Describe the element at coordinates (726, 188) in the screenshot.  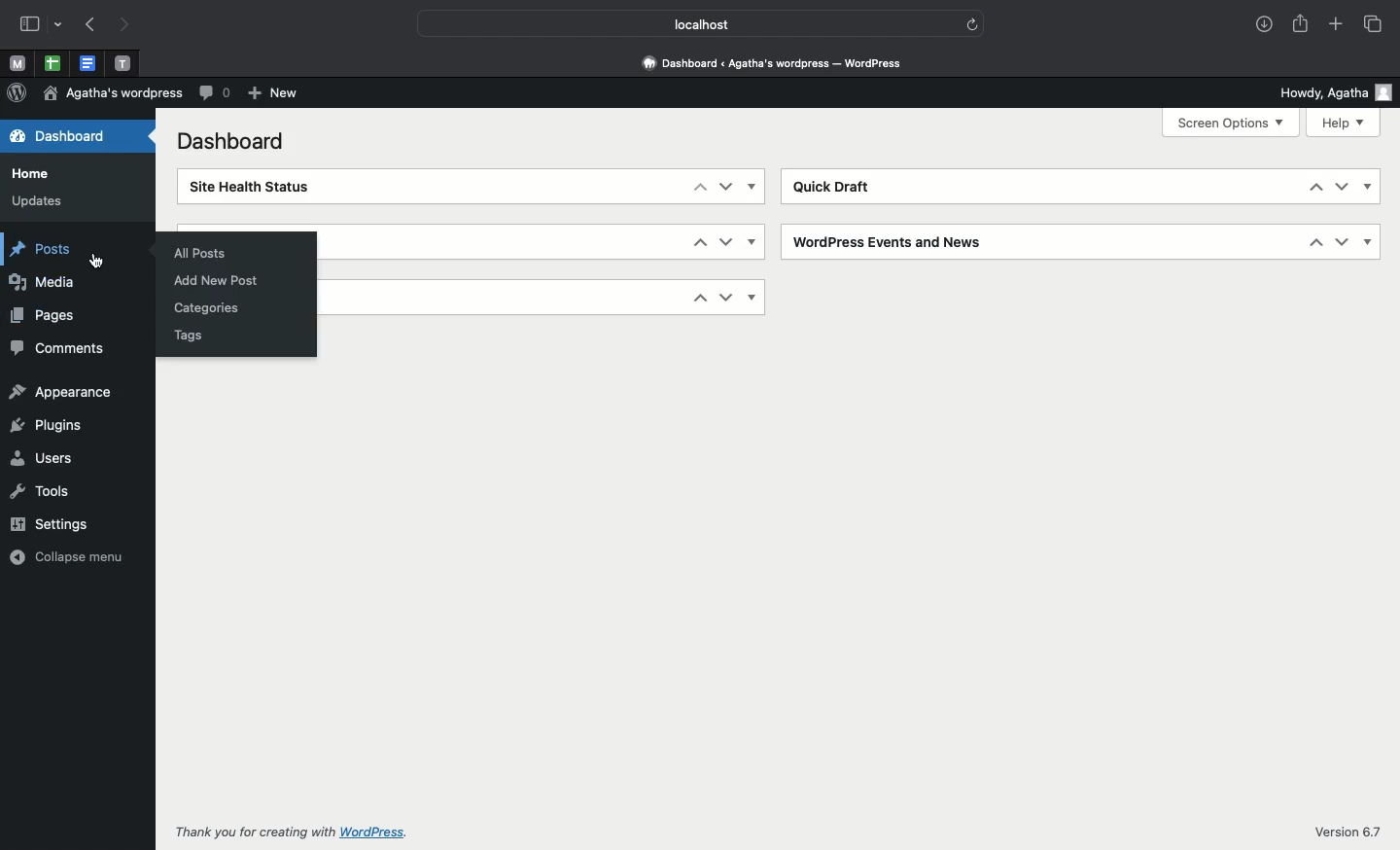
I see `Down` at that location.